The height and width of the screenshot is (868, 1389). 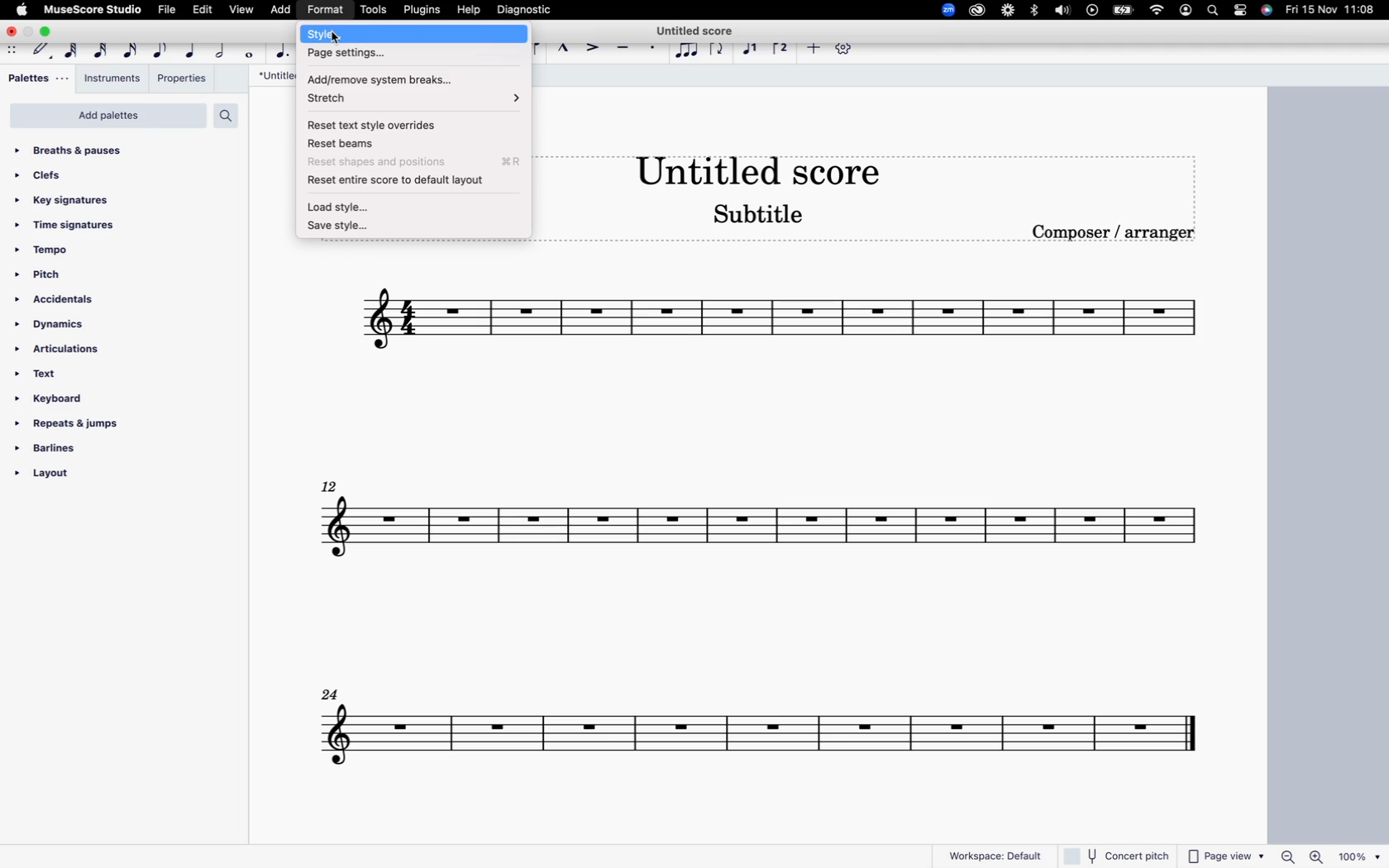 I want to click on tools, so click(x=374, y=11).